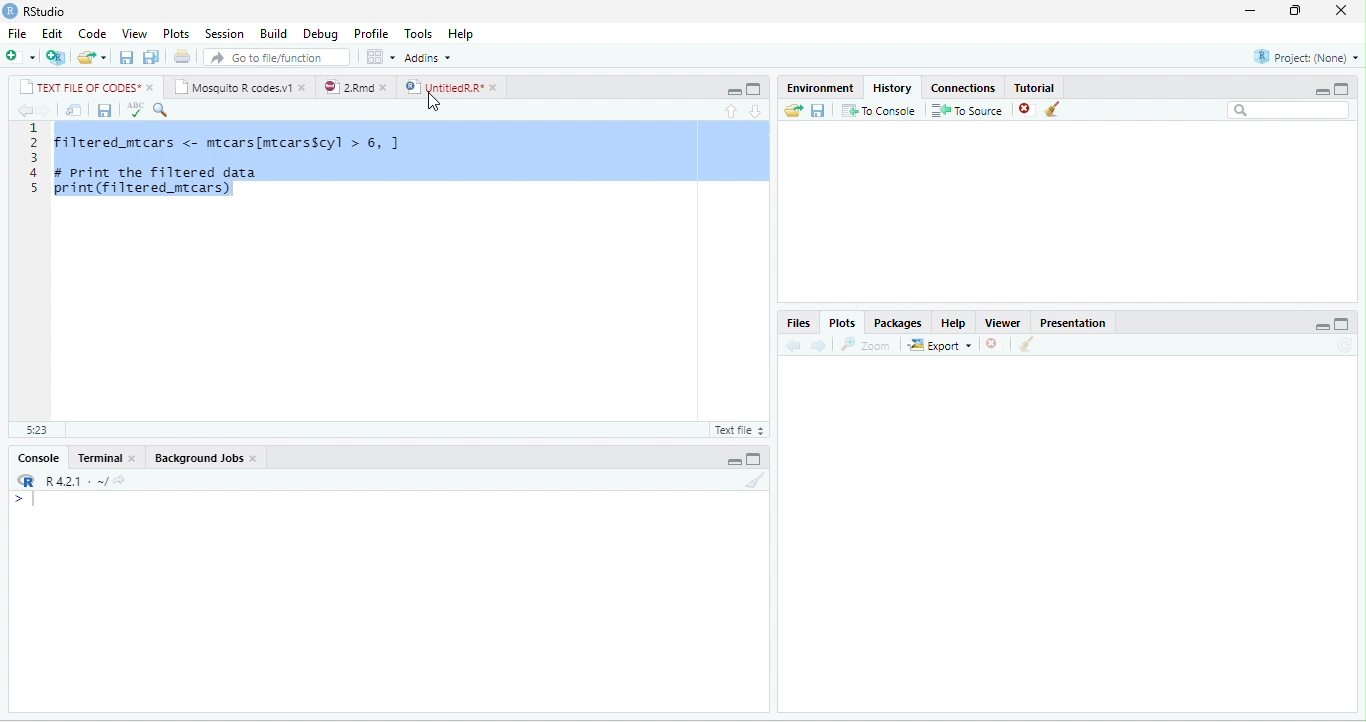 The image size is (1366, 722). What do you see at coordinates (97, 457) in the screenshot?
I see `Terminal` at bounding box center [97, 457].